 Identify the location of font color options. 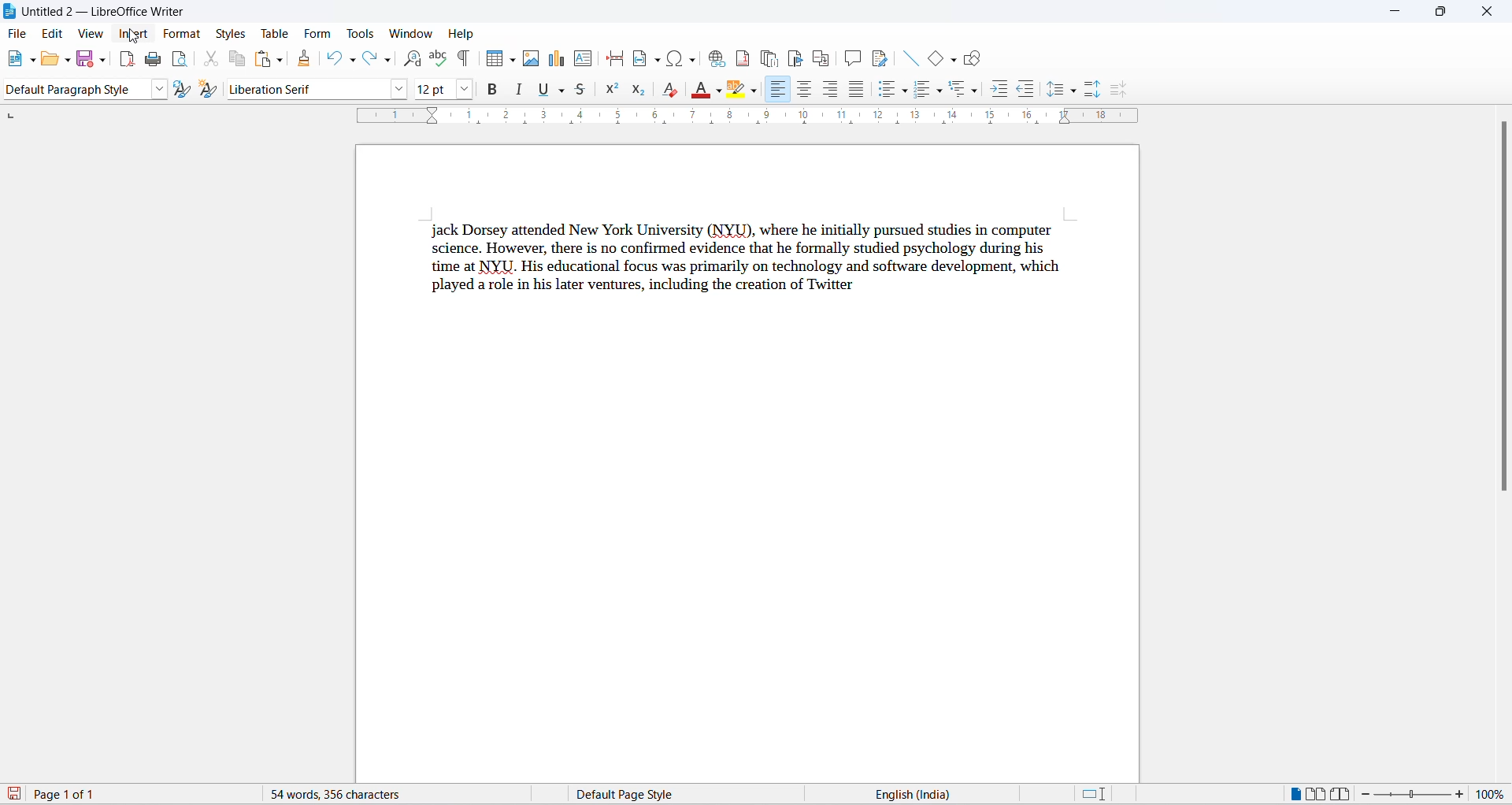
(715, 91).